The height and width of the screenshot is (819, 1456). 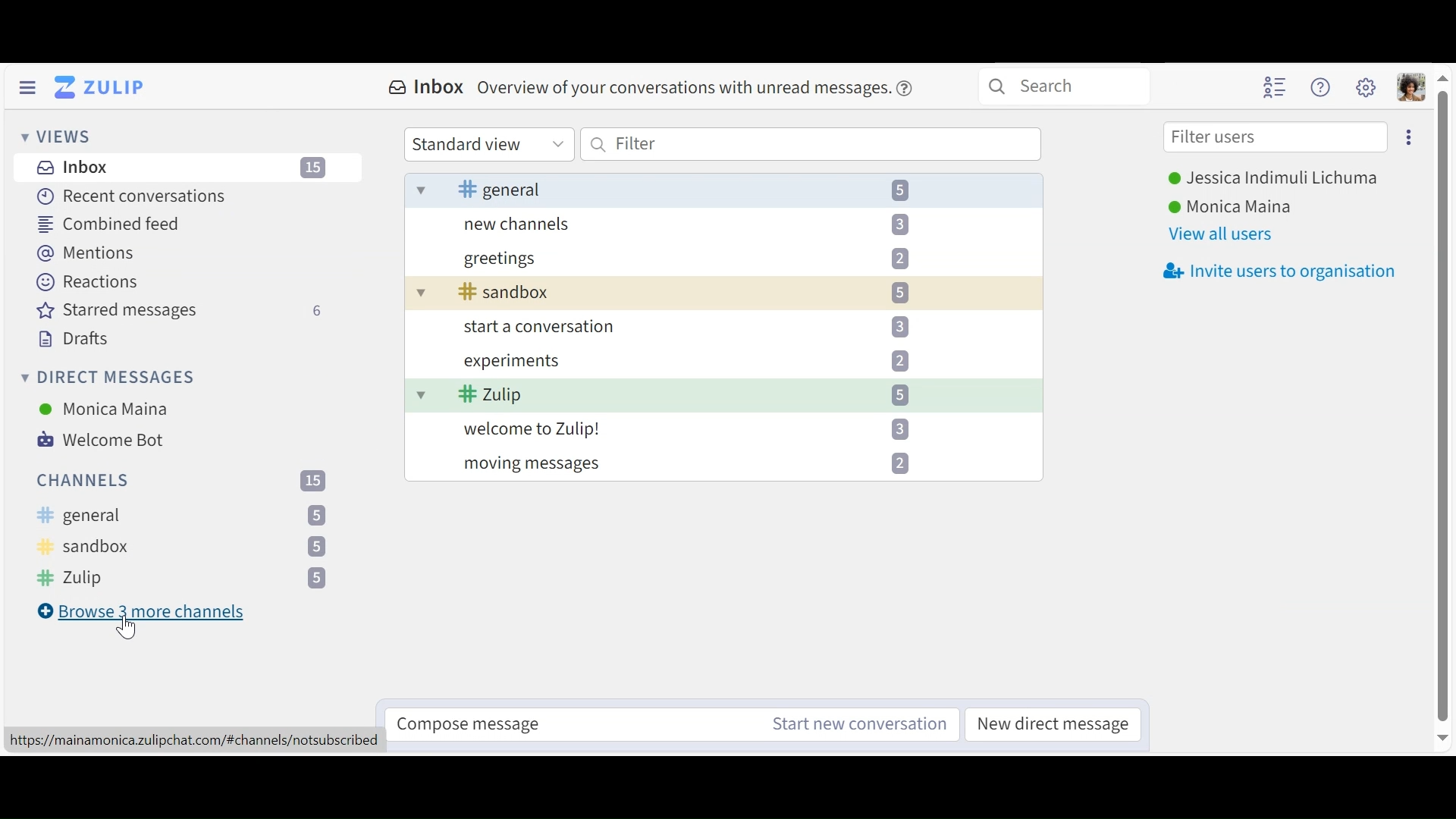 What do you see at coordinates (89, 282) in the screenshot?
I see `Reactions` at bounding box center [89, 282].